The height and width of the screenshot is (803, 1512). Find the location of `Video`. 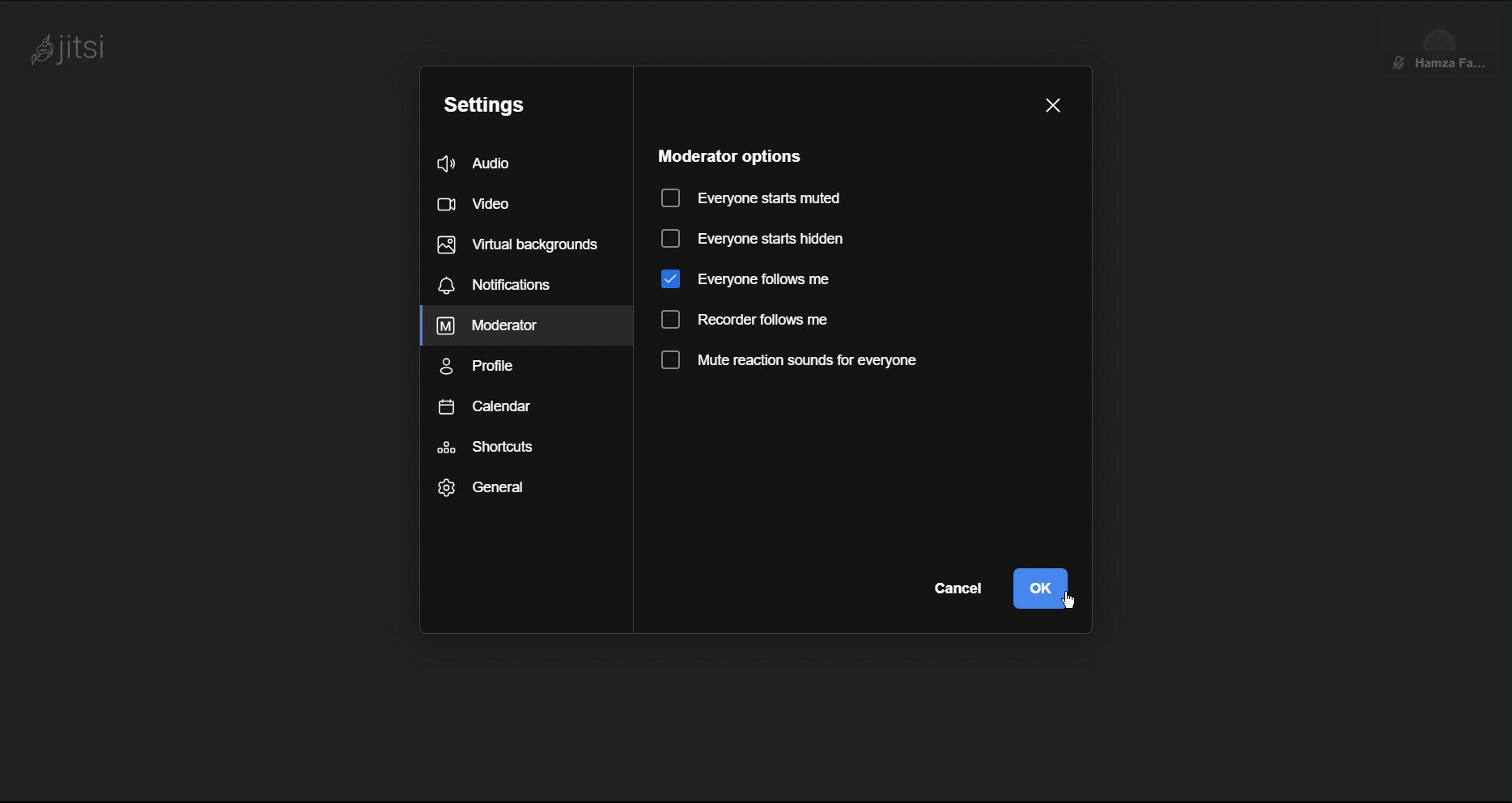

Video is located at coordinates (483, 204).